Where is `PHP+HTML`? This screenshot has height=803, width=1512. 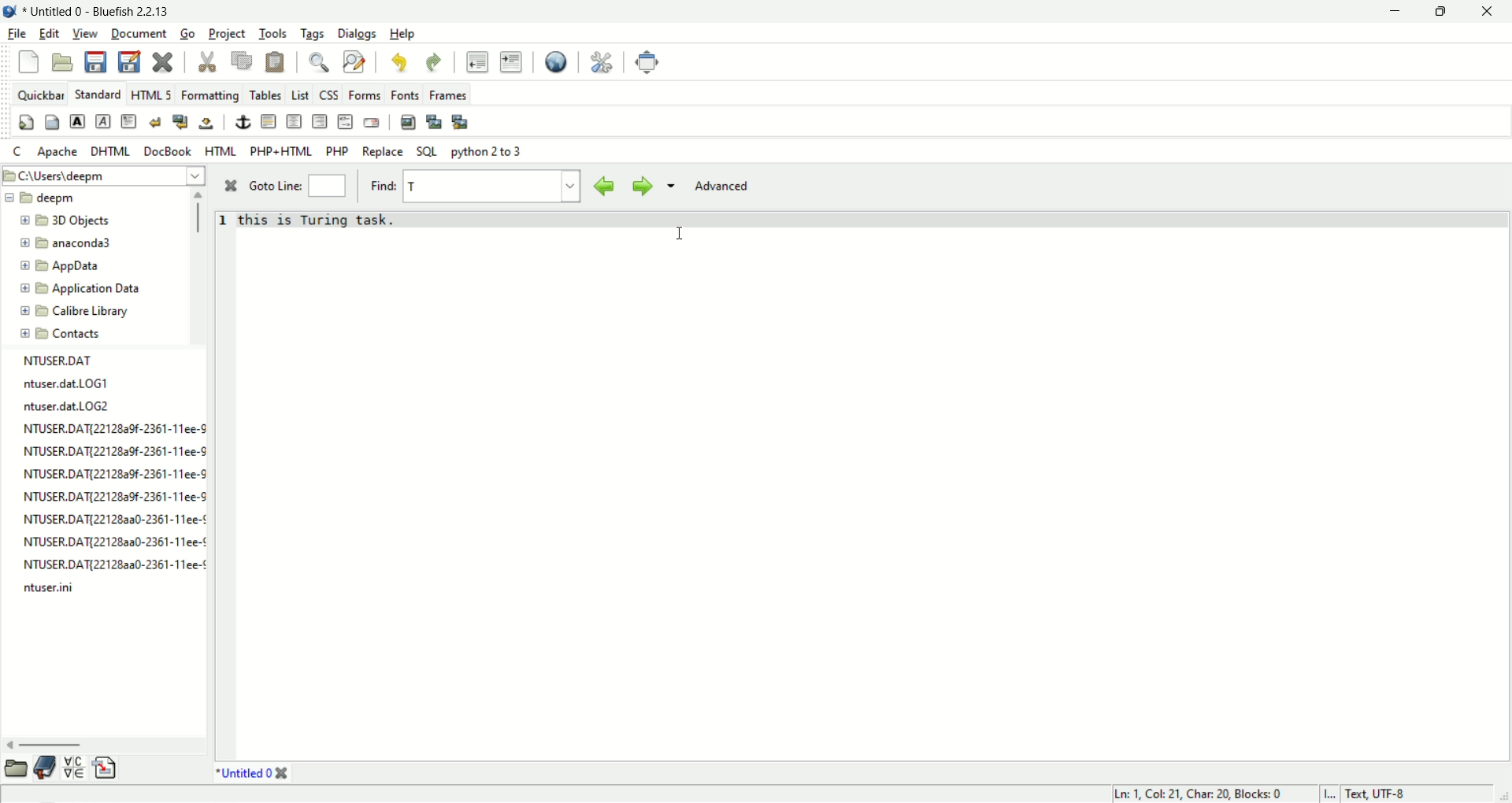
PHP+HTML is located at coordinates (281, 152).